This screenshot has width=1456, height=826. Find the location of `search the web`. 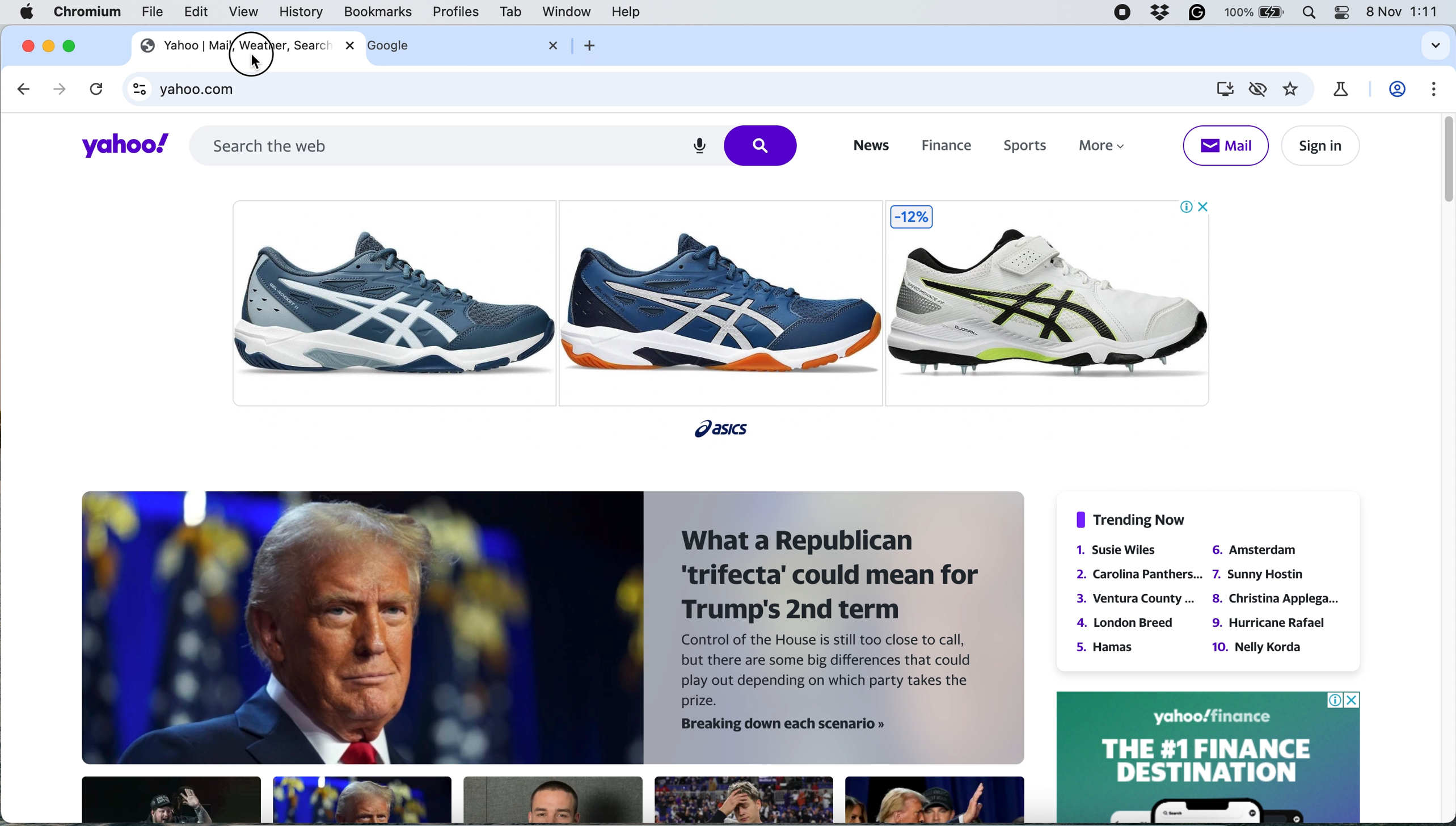

search the web is located at coordinates (495, 144).